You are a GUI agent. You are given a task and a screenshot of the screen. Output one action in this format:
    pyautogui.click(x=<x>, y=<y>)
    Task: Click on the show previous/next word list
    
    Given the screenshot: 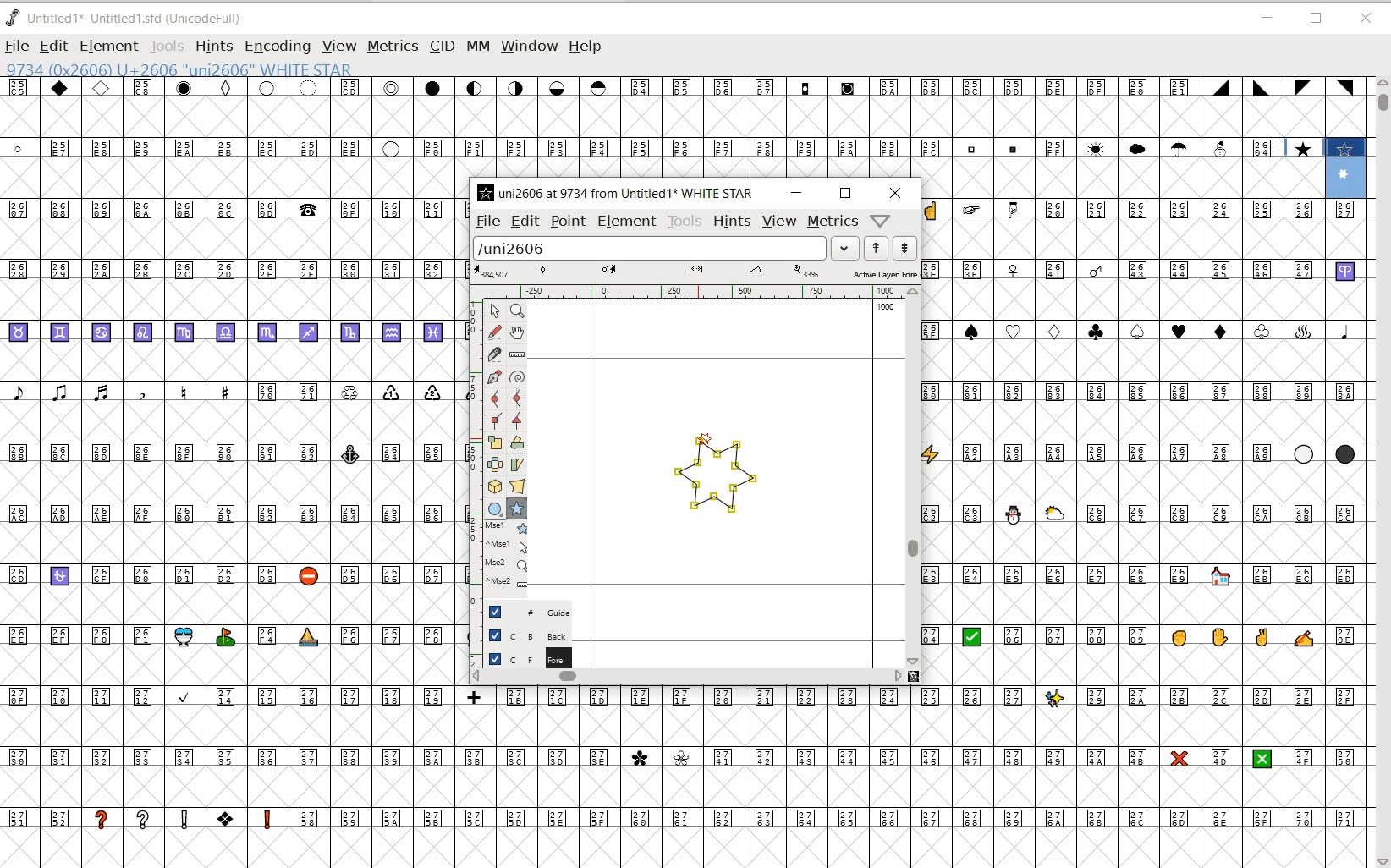 What is the action you would take?
    pyautogui.click(x=891, y=247)
    